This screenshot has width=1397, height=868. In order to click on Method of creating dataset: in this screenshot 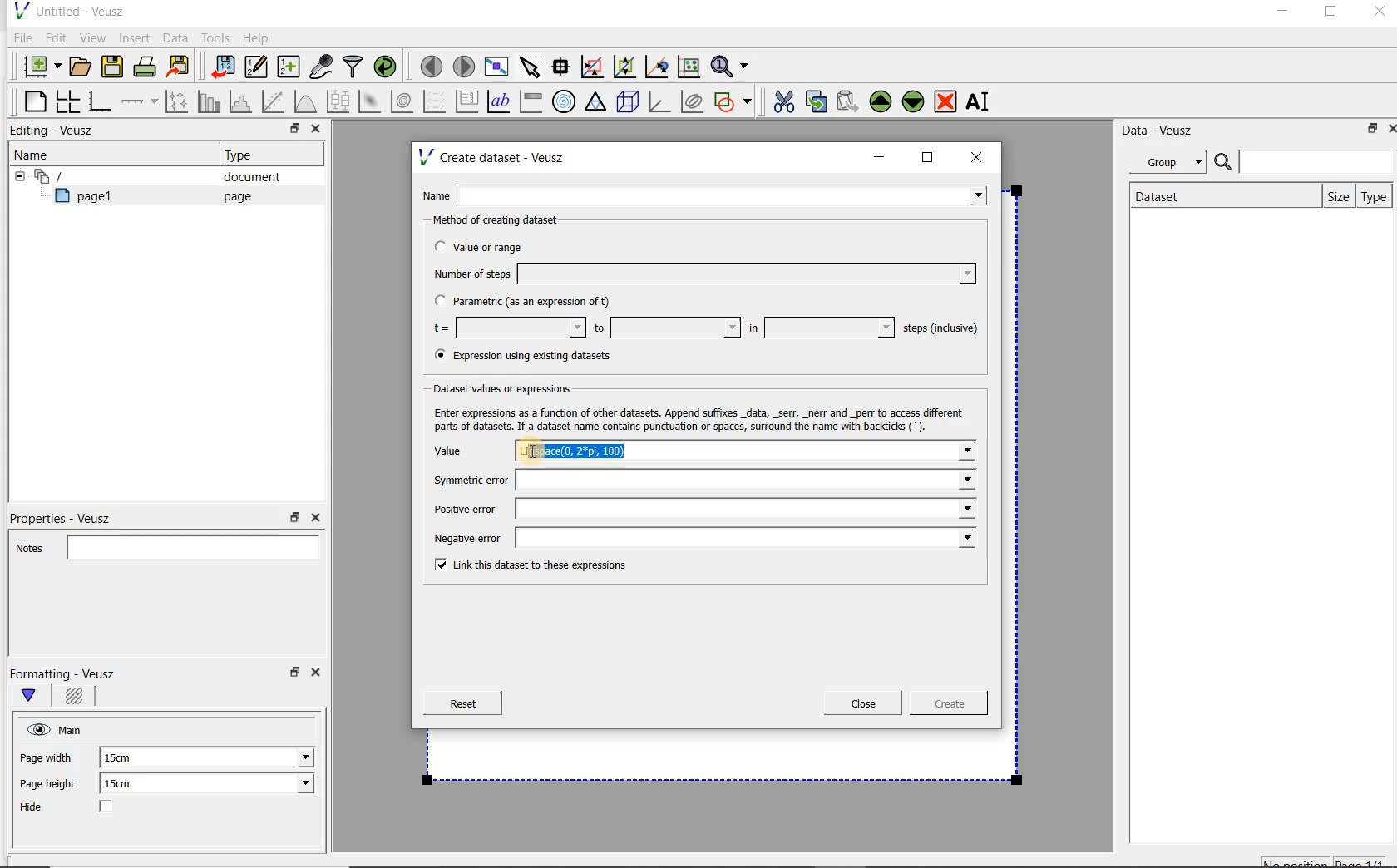, I will do `click(508, 220)`.